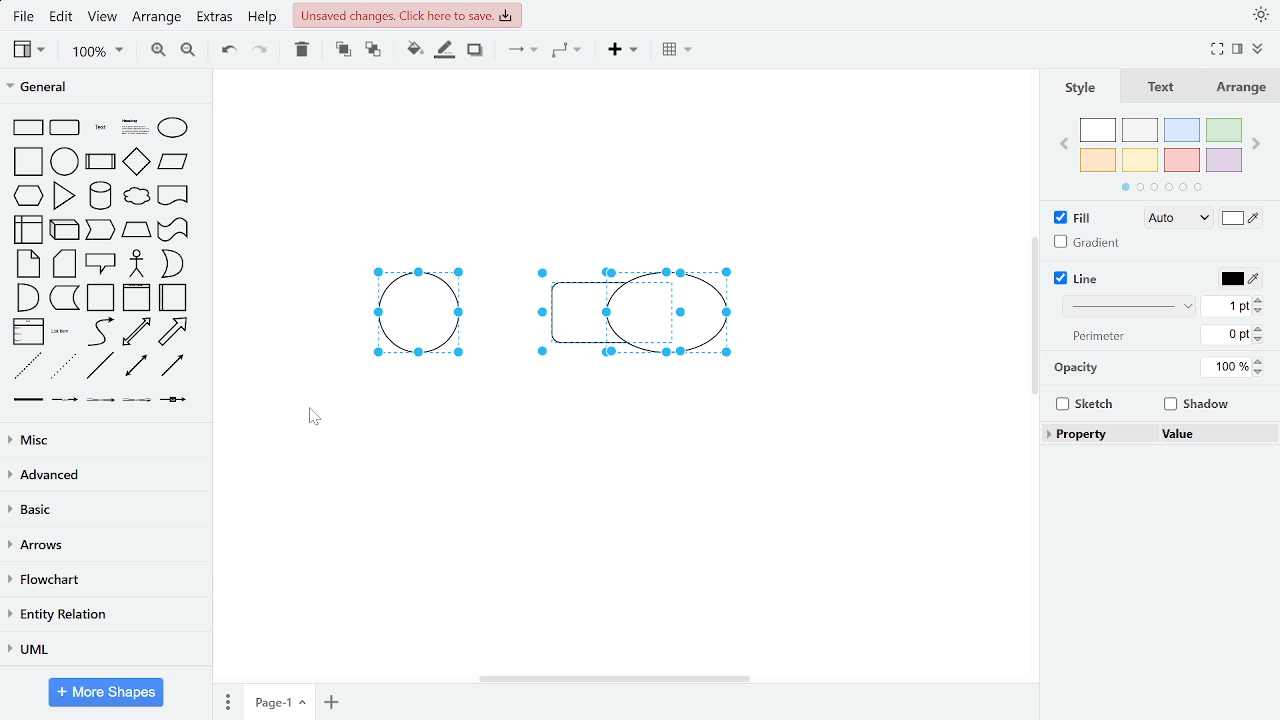 The image size is (1280, 720). Describe the element at coordinates (29, 194) in the screenshot. I see `hexagon` at that location.